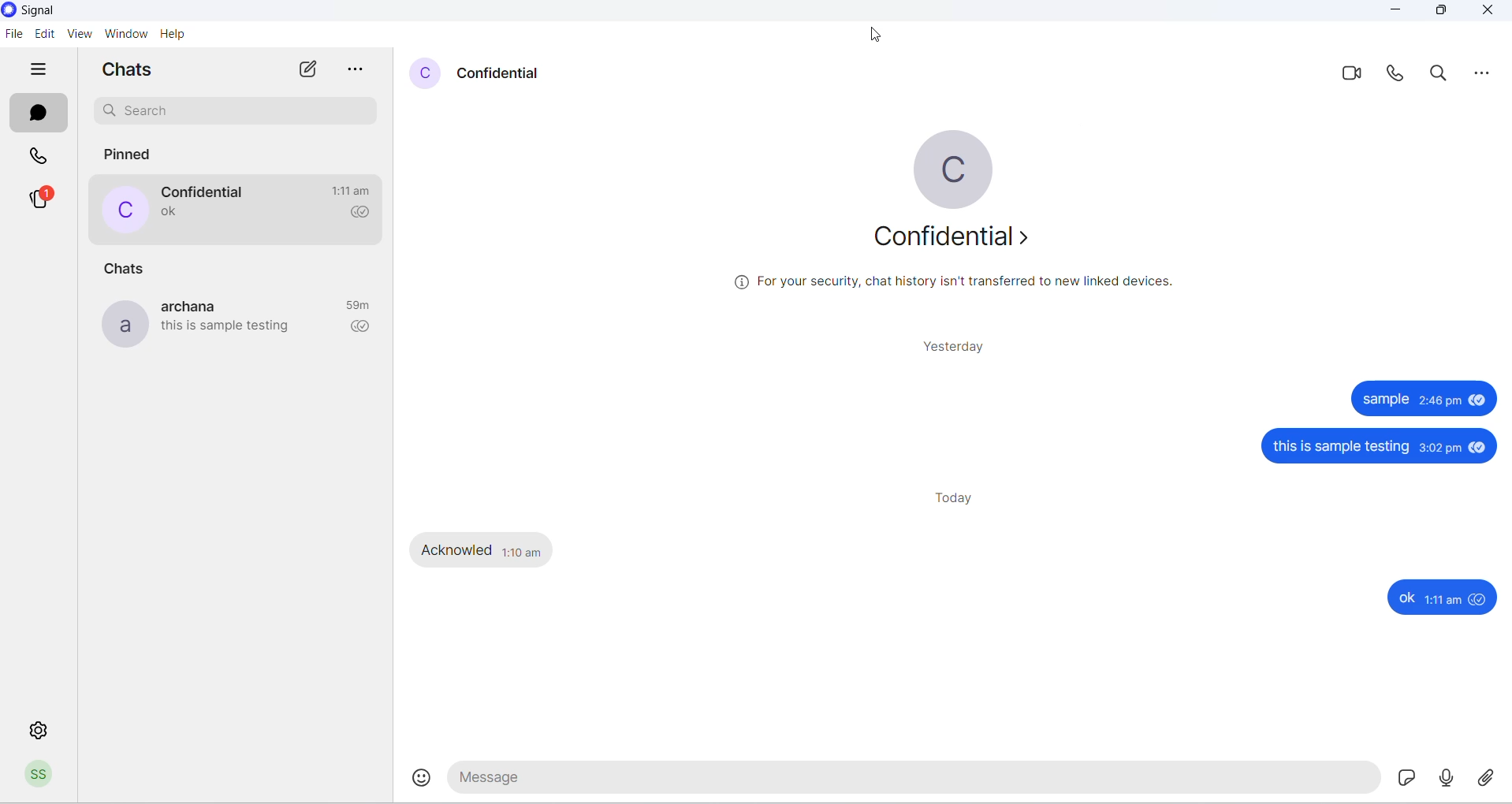 The height and width of the screenshot is (804, 1512). I want to click on help, so click(173, 33).